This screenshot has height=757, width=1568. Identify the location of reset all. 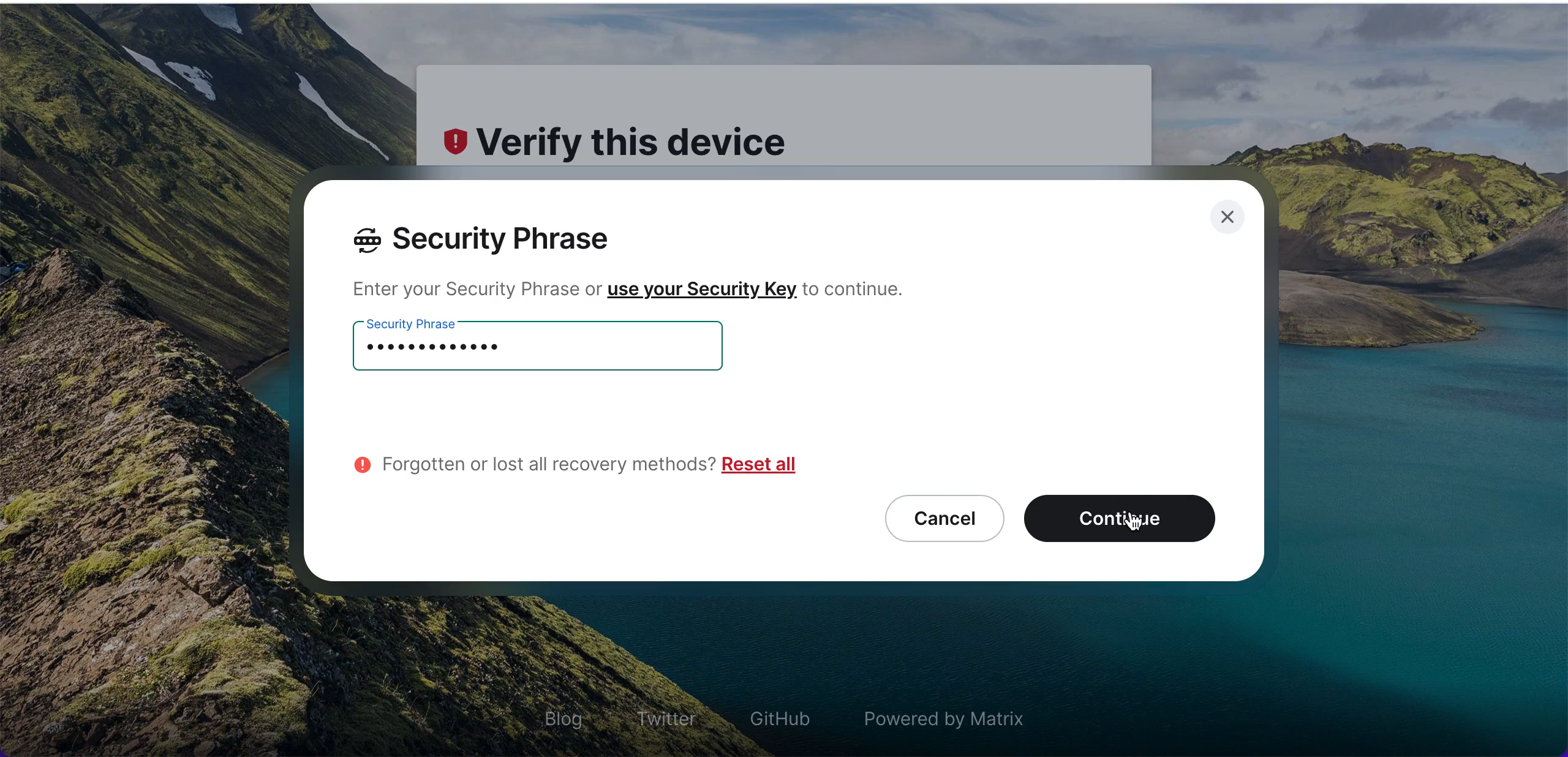
(759, 462).